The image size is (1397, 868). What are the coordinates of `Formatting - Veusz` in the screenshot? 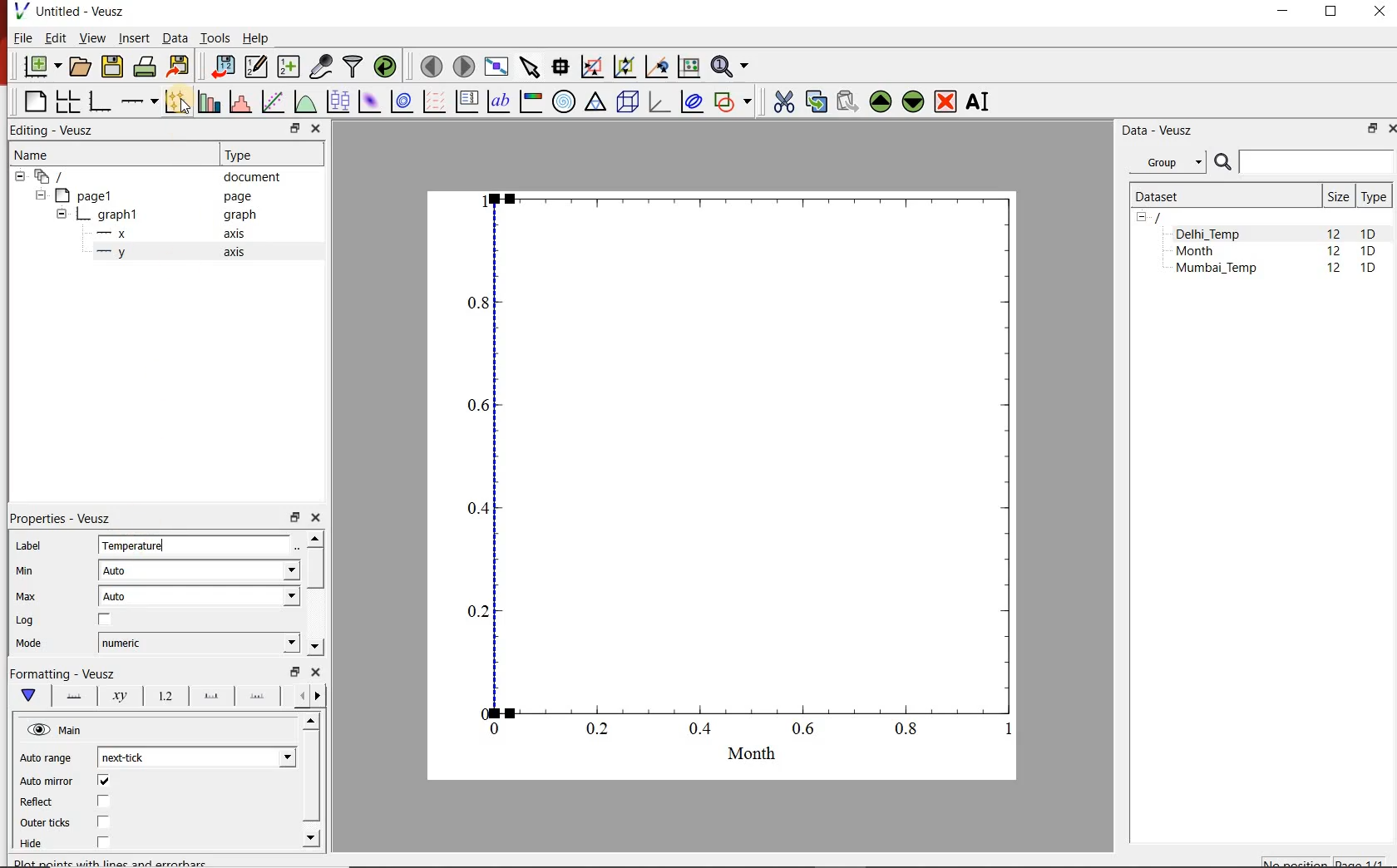 It's located at (67, 673).